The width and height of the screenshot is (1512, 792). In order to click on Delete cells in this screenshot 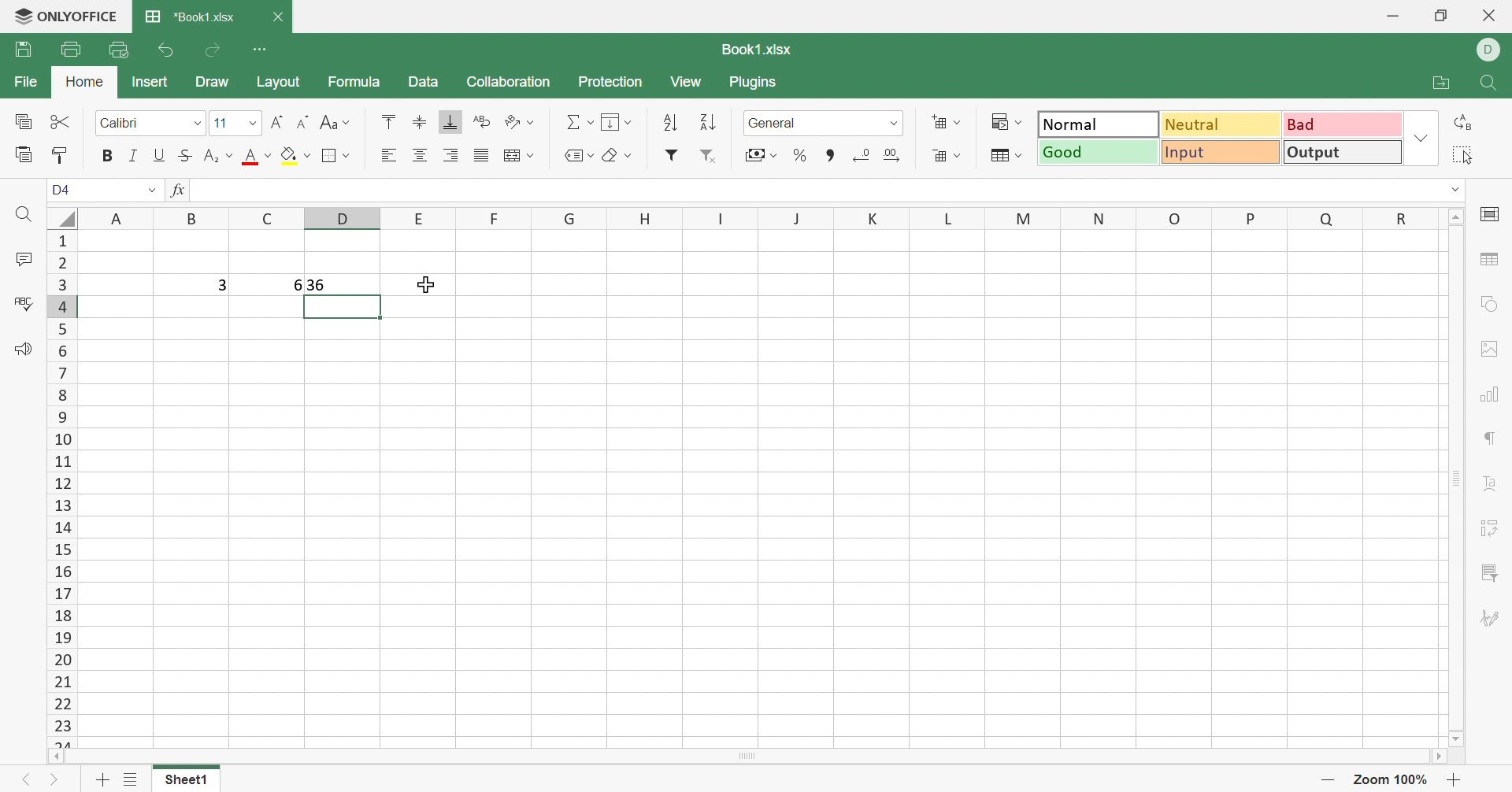, I will do `click(948, 156)`.